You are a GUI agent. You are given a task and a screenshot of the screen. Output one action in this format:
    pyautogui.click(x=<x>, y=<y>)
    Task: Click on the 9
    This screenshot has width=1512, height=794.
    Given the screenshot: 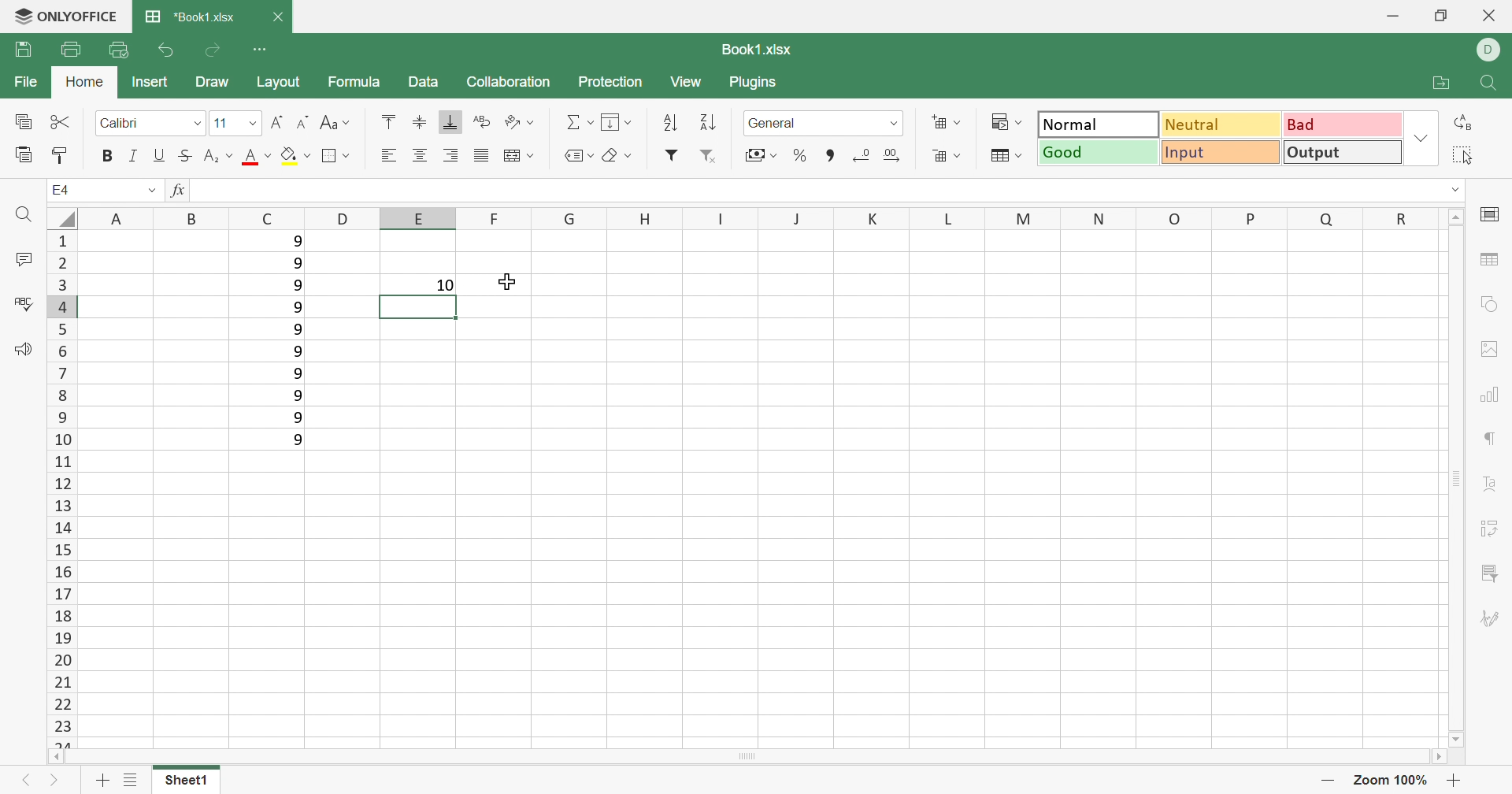 What is the action you would take?
    pyautogui.click(x=297, y=328)
    